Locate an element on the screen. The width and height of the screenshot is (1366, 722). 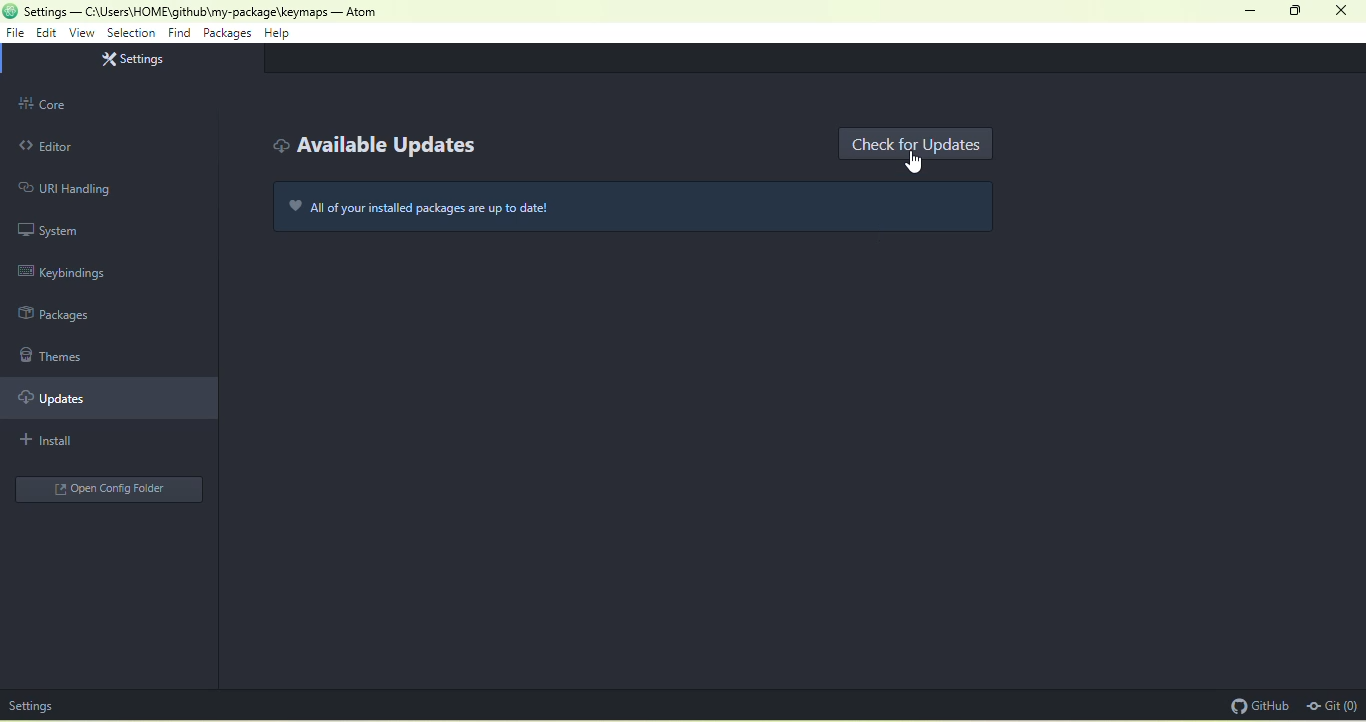
cursor movement is located at coordinates (914, 162).